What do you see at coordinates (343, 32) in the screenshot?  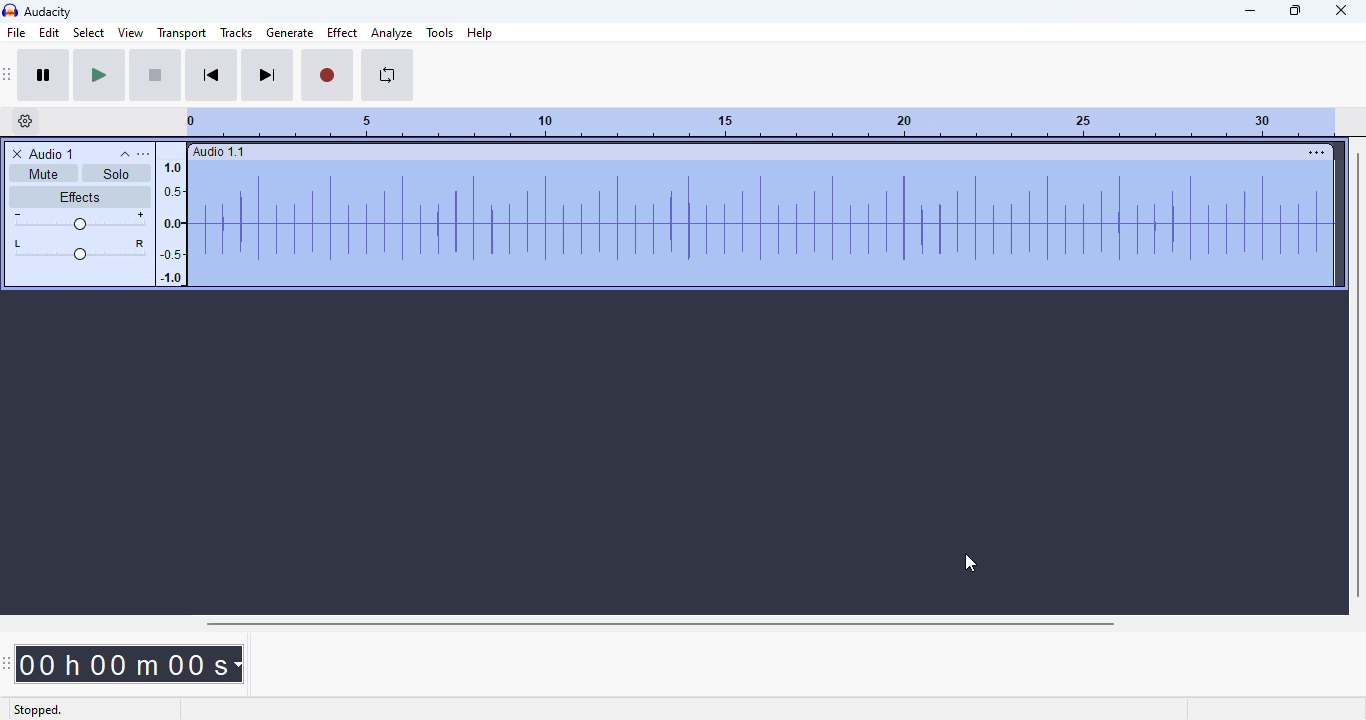 I see `effect` at bounding box center [343, 32].